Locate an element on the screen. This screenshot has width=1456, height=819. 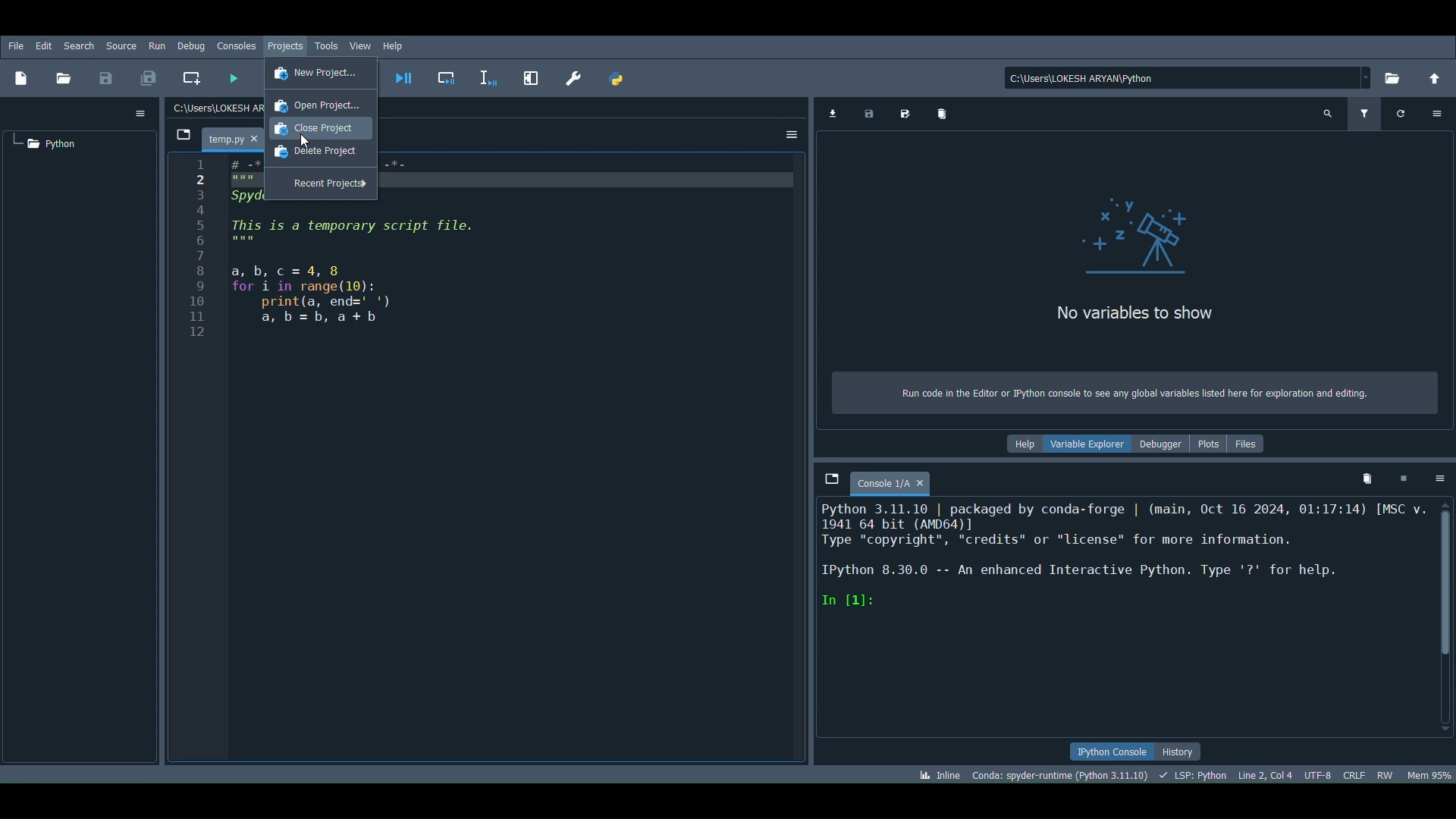
Search variable names and types (Ctrl + F) is located at coordinates (1328, 114).